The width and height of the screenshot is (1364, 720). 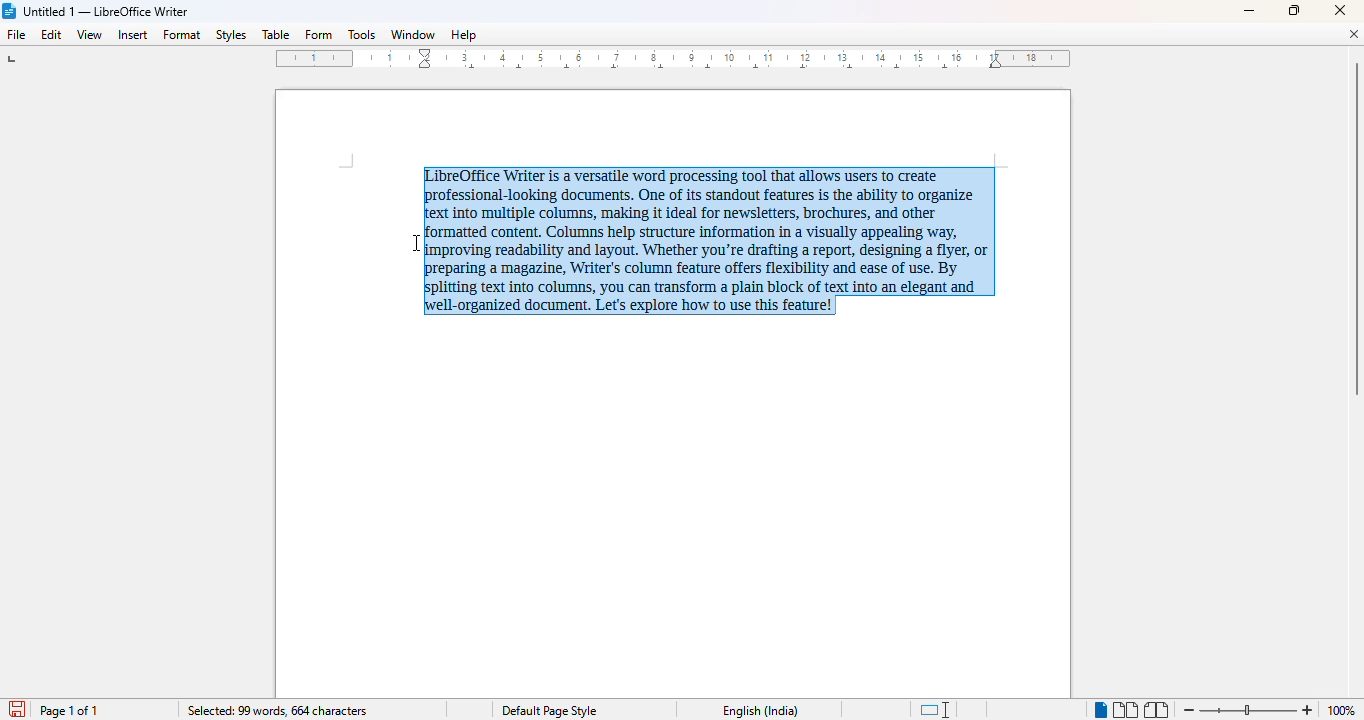 I want to click on view, so click(x=90, y=33).